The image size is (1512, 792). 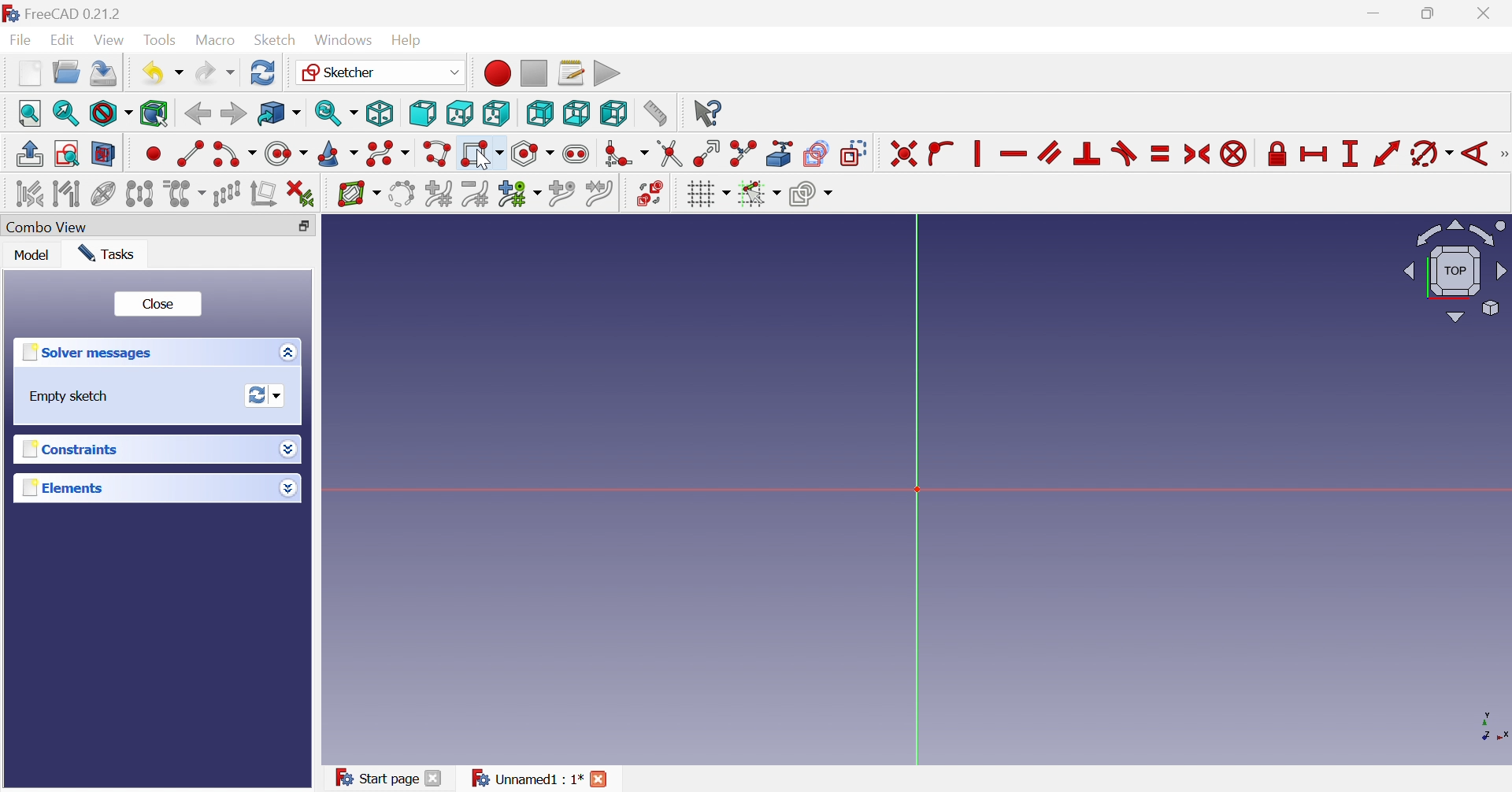 What do you see at coordinates (32, 257) in the screenshot?
I see `Model` at bounding box center [32, 257].